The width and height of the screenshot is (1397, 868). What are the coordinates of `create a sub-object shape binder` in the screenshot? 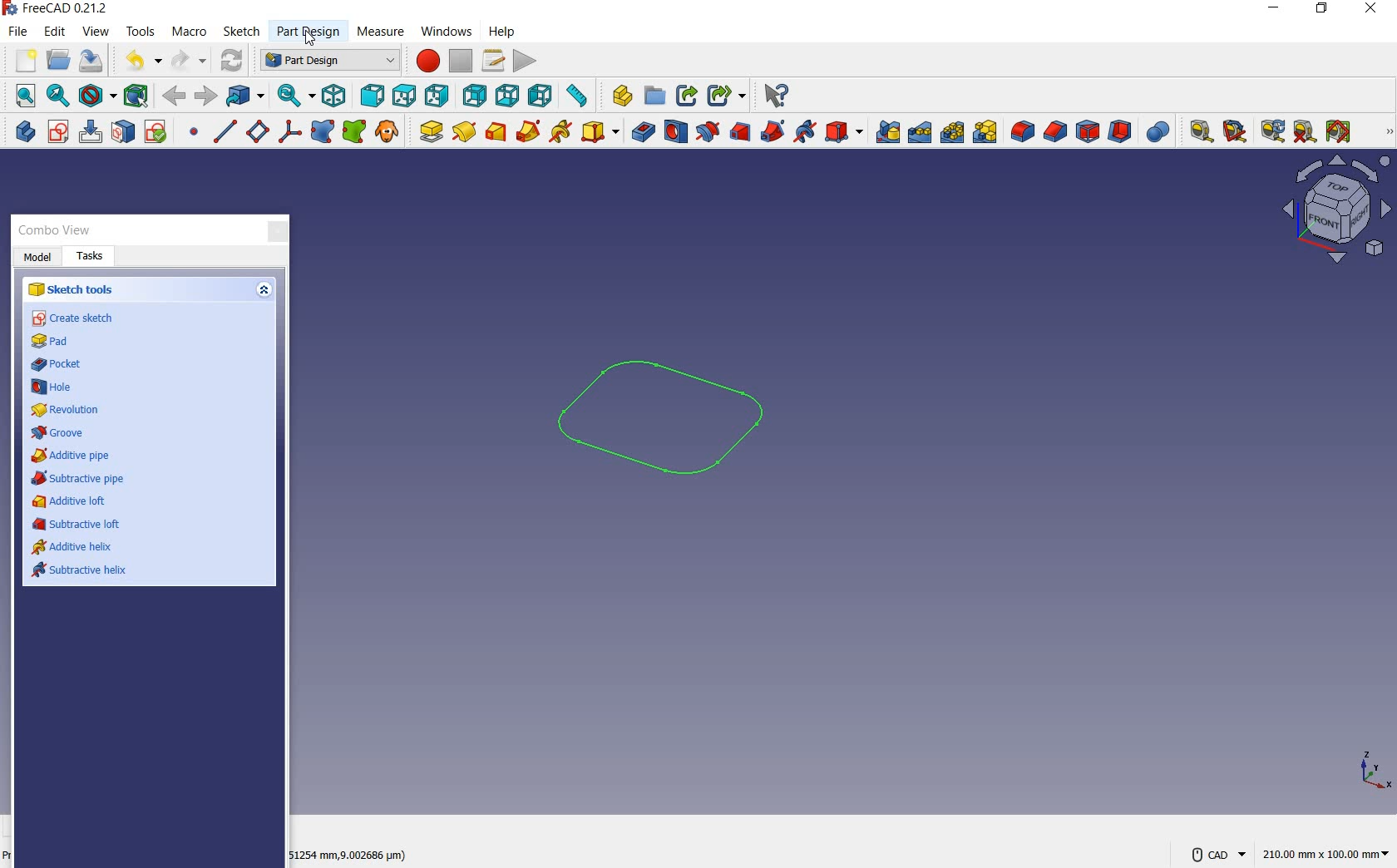 It's located at (354, 133).